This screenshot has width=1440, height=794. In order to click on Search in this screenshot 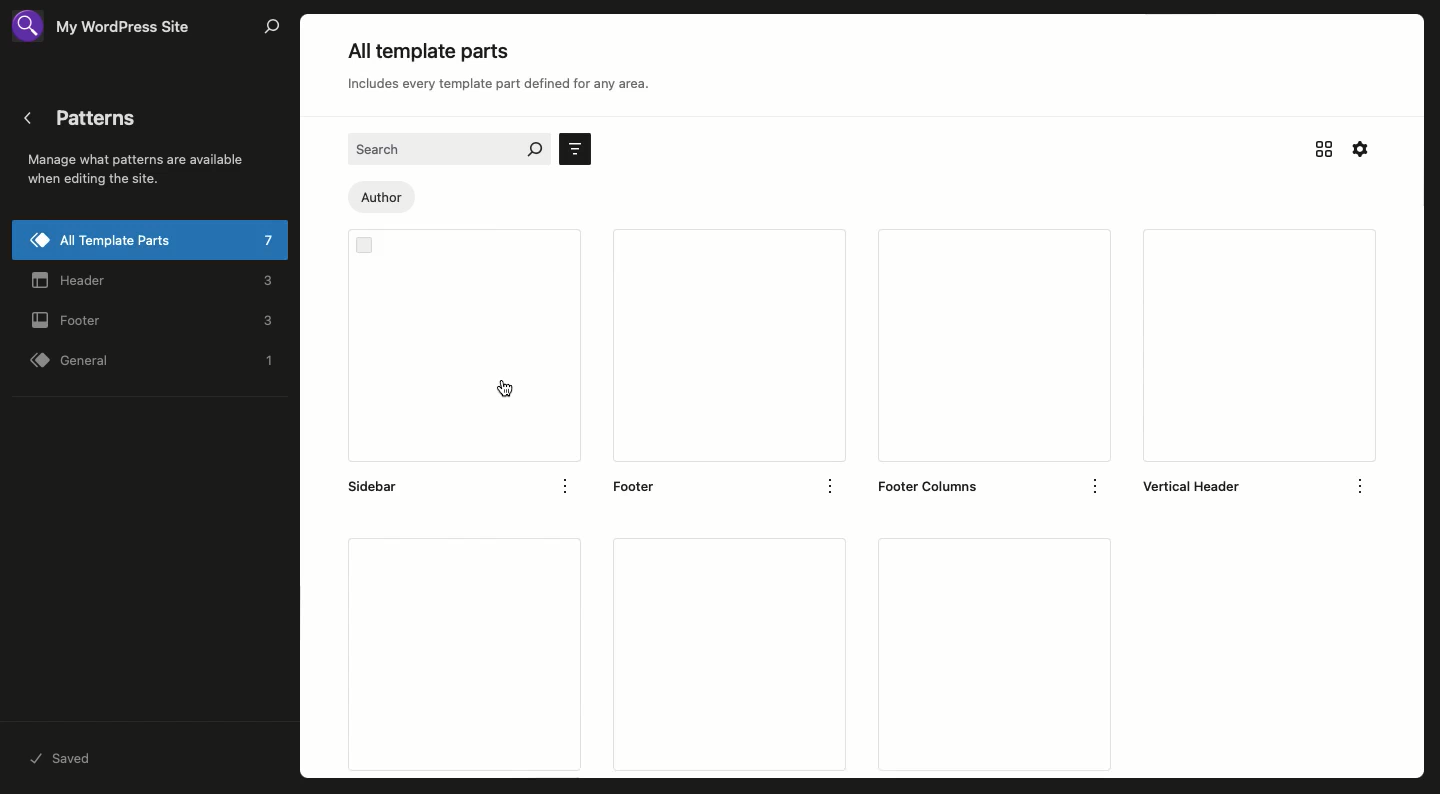, I will do `click(448, 149)`.